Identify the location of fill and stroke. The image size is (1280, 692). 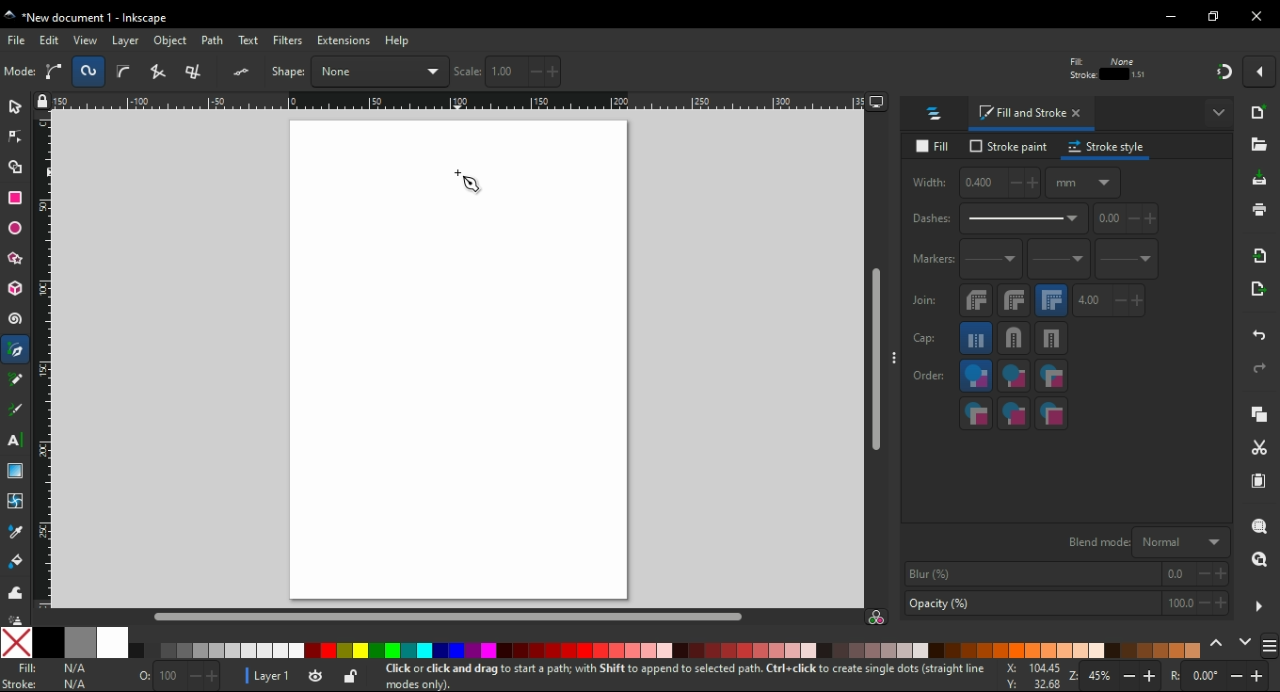
(1032, 114).